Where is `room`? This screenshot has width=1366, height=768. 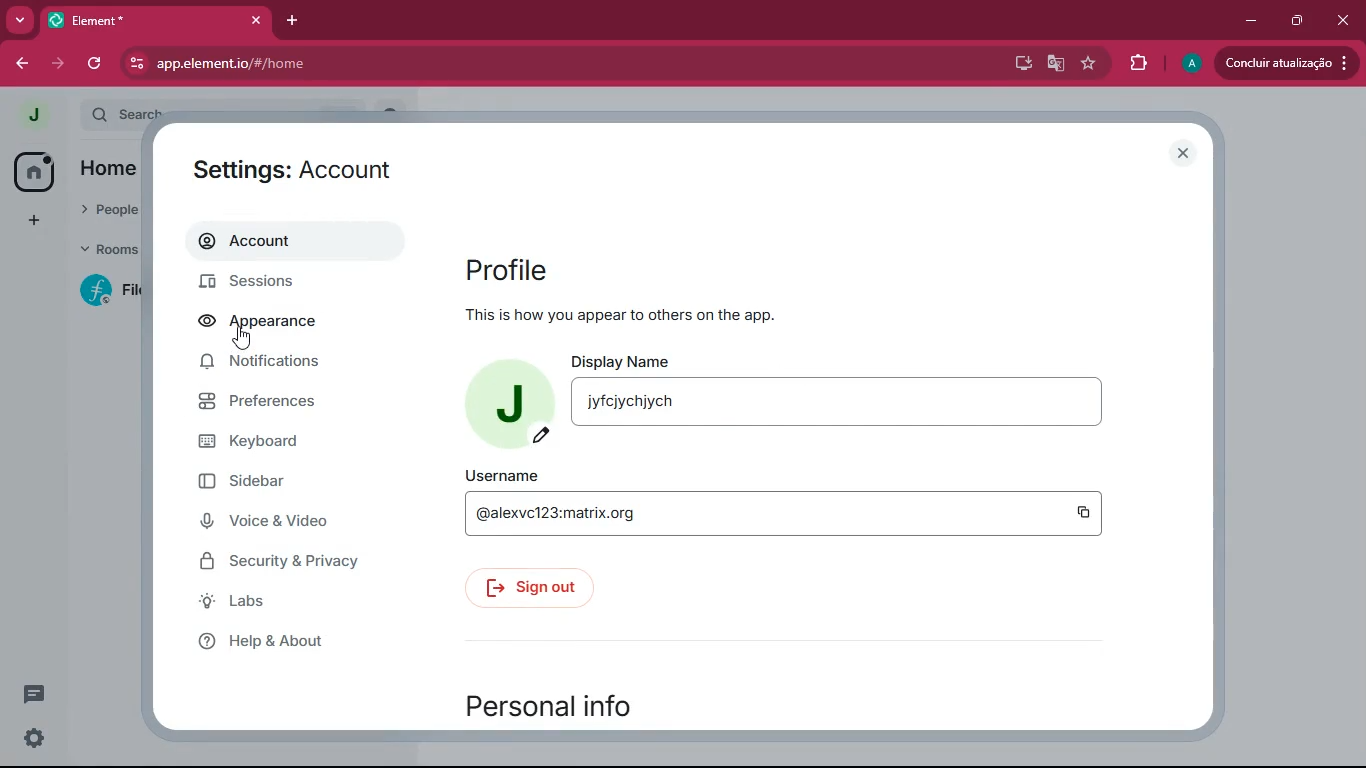 room is located at coordinates (105, 291).